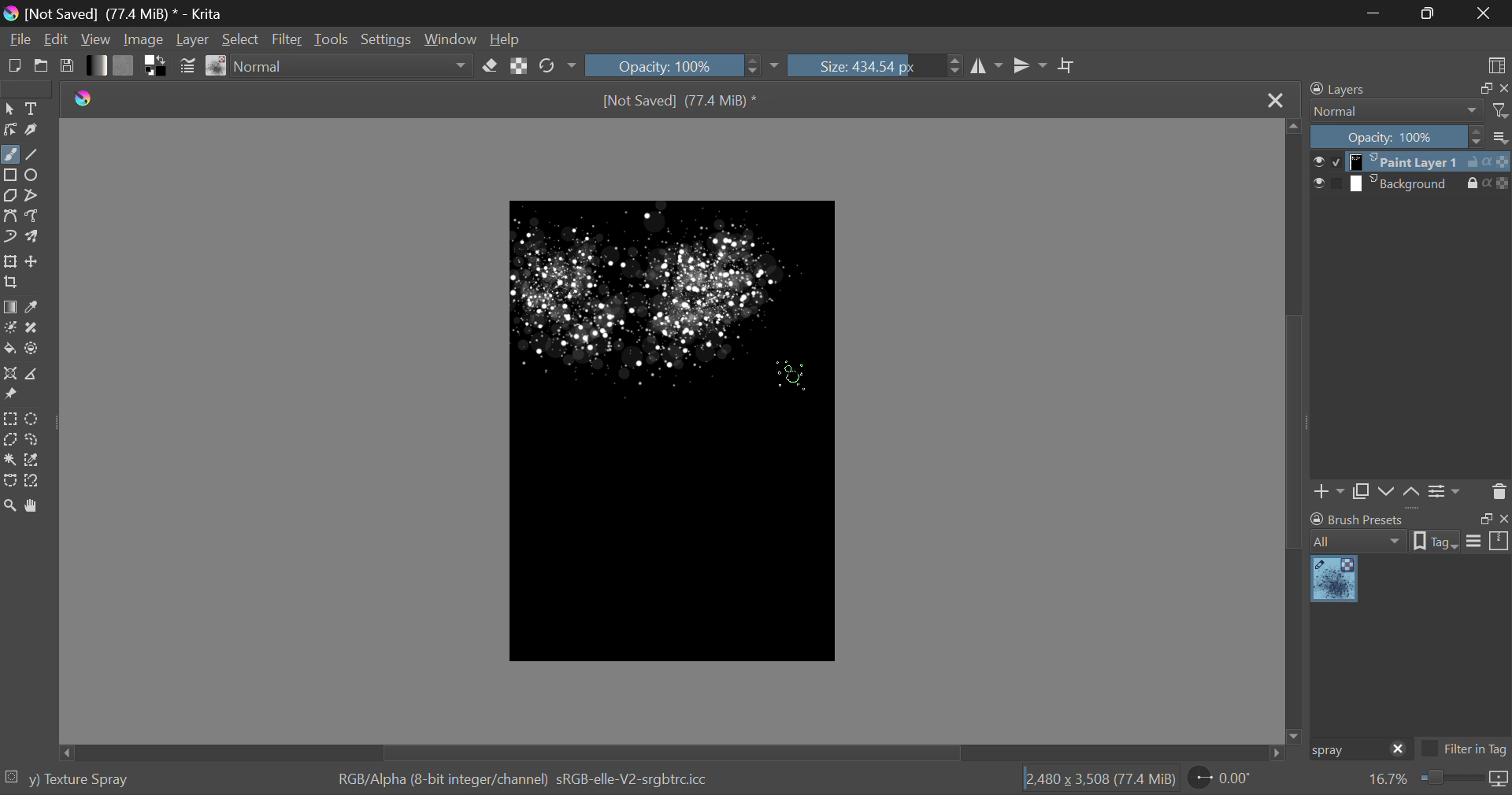 The image size is (1512, 795). What do you see at coordinates (1334, 580) in the screenshot?
I see `` at bounding box center [1334, 580].